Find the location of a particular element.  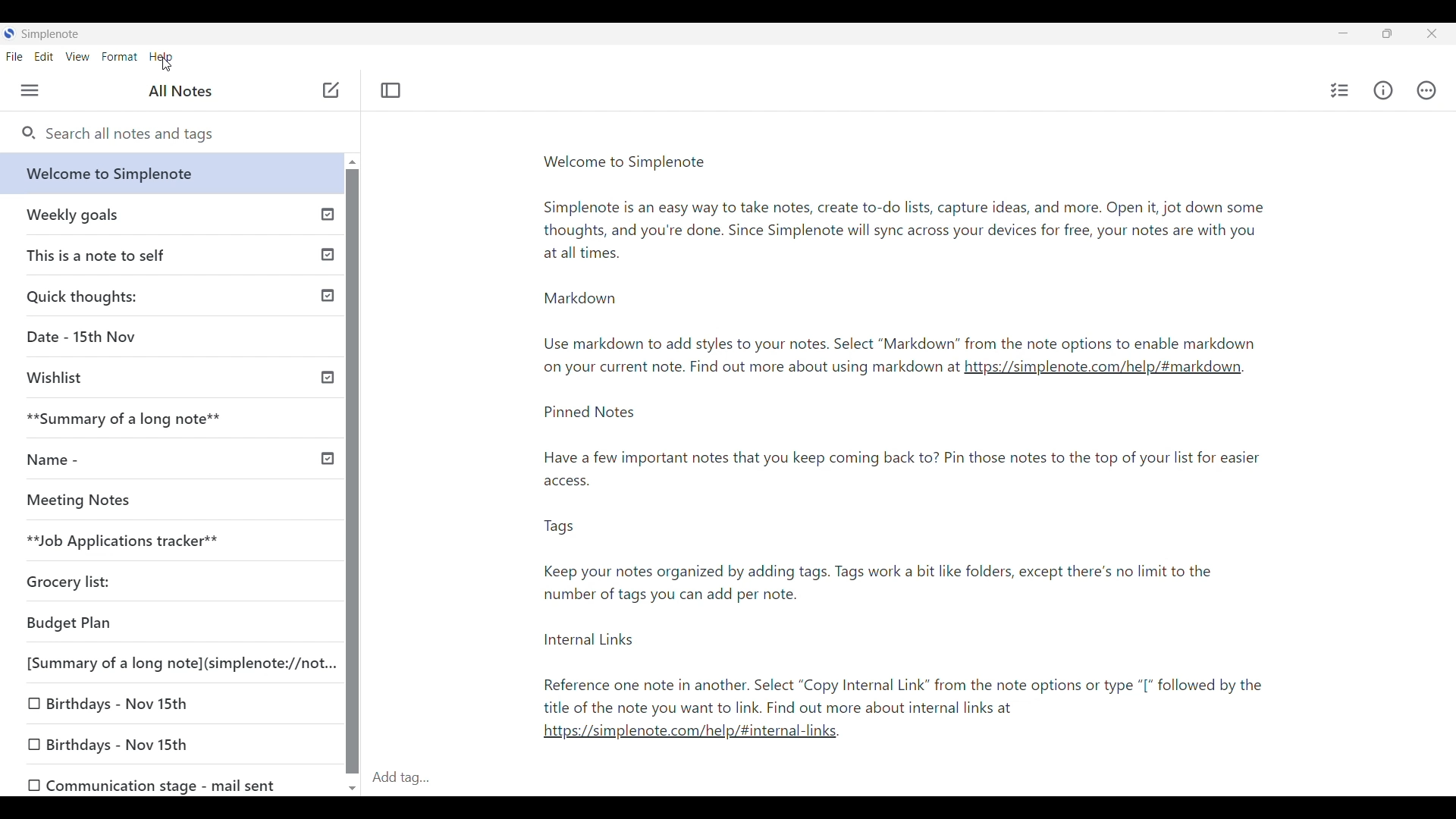

Menu is located at coordinates (30, 90).